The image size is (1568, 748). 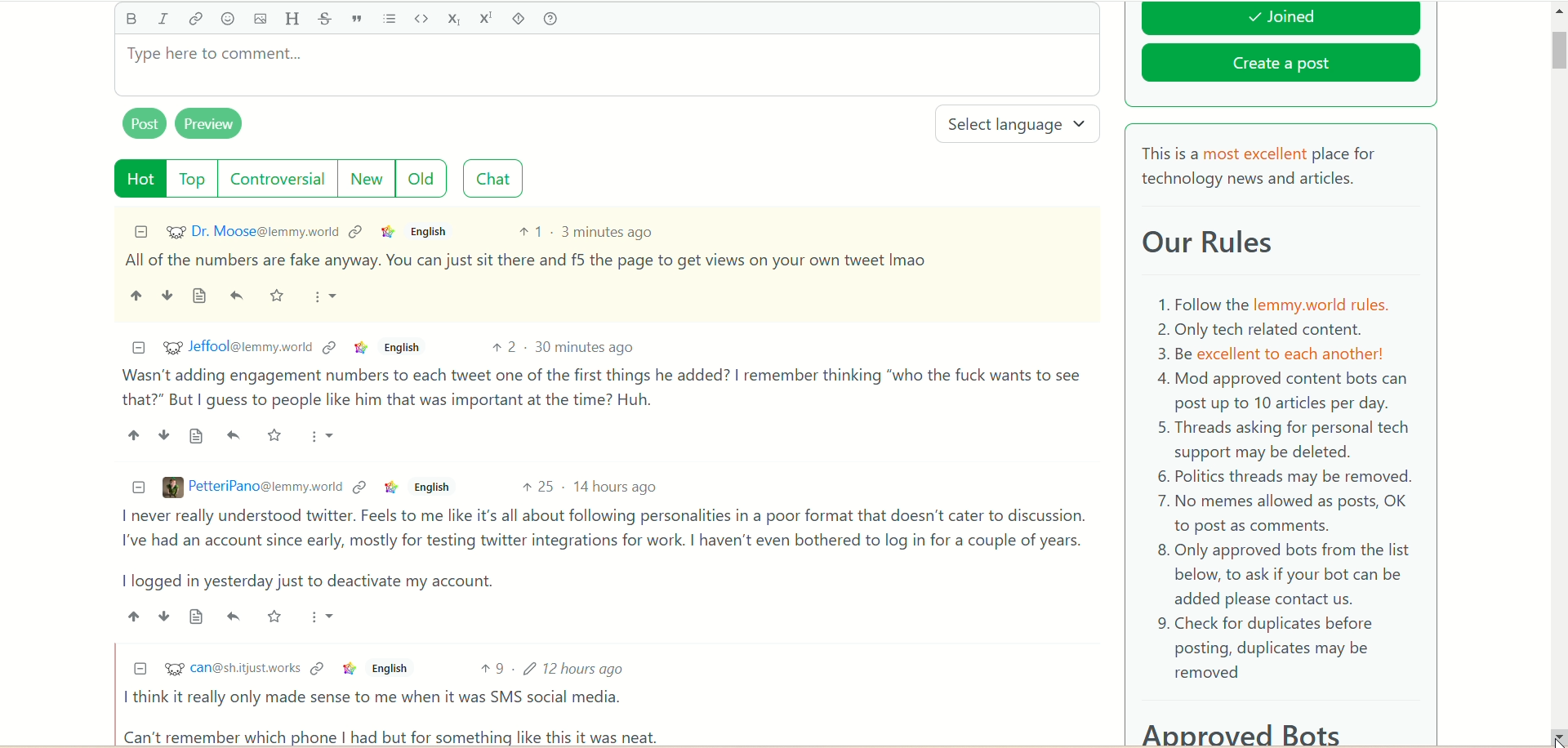 What do you see at coordinates (259, 20) in the screenshot?
I see `image` at bounding box center [259, 20].